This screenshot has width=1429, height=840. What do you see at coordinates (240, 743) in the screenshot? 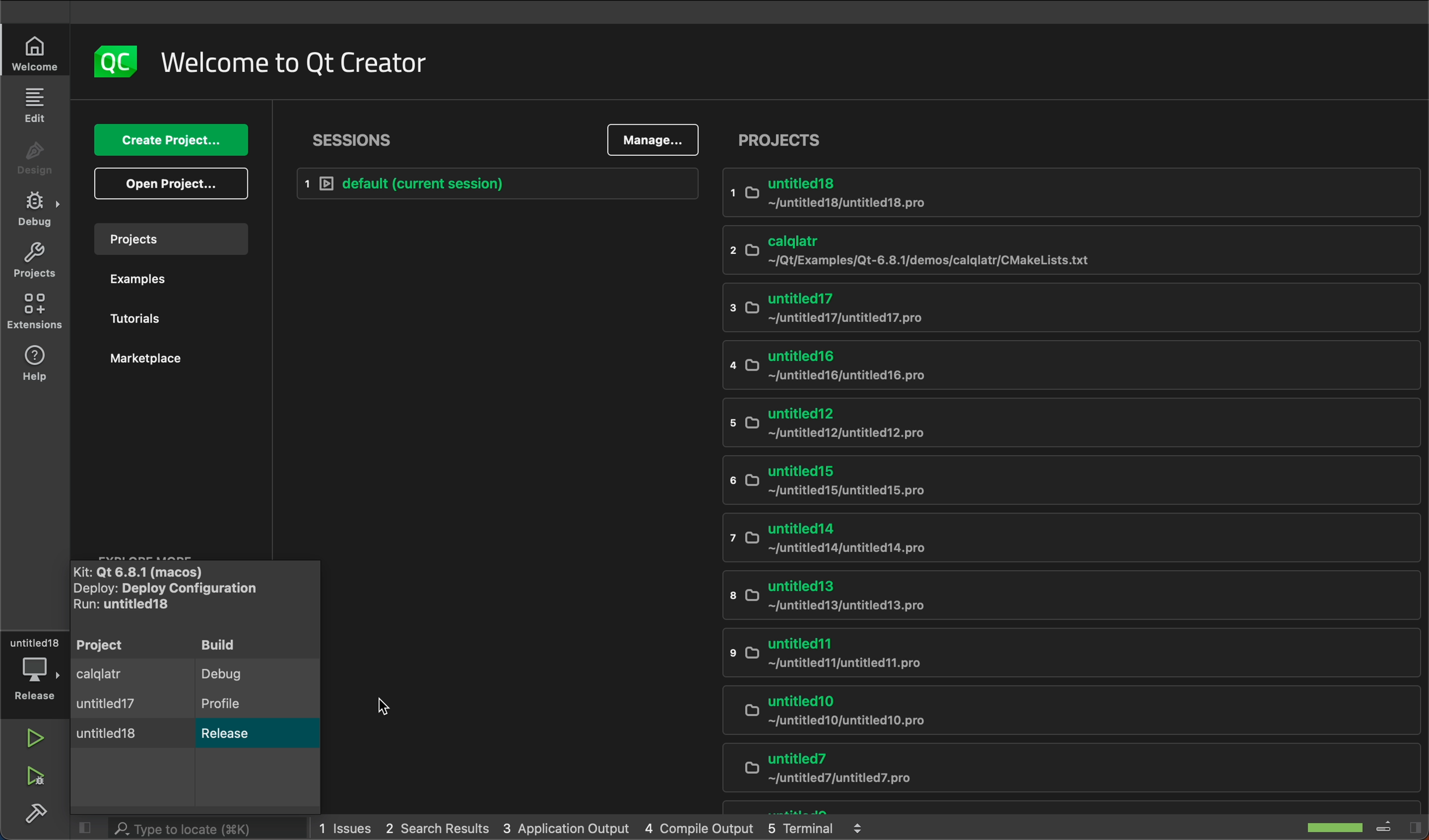
I see `Release` at bounding box center [240, 743].